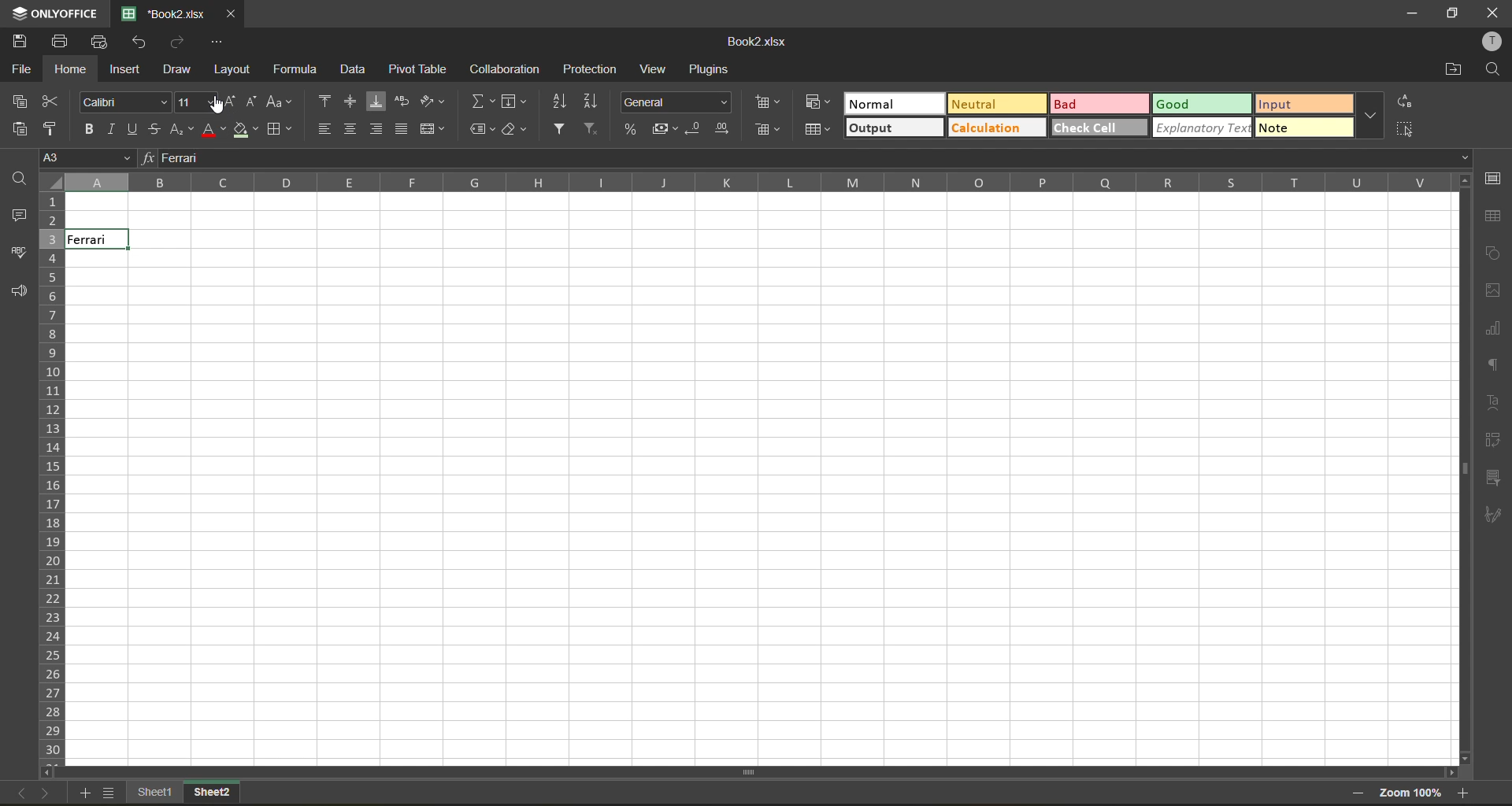 This screenshot has width=1512, height=806. What do you see at coordinates (276, 131) in the screenshot?
I see `borders` at bounding box center [276, 131].